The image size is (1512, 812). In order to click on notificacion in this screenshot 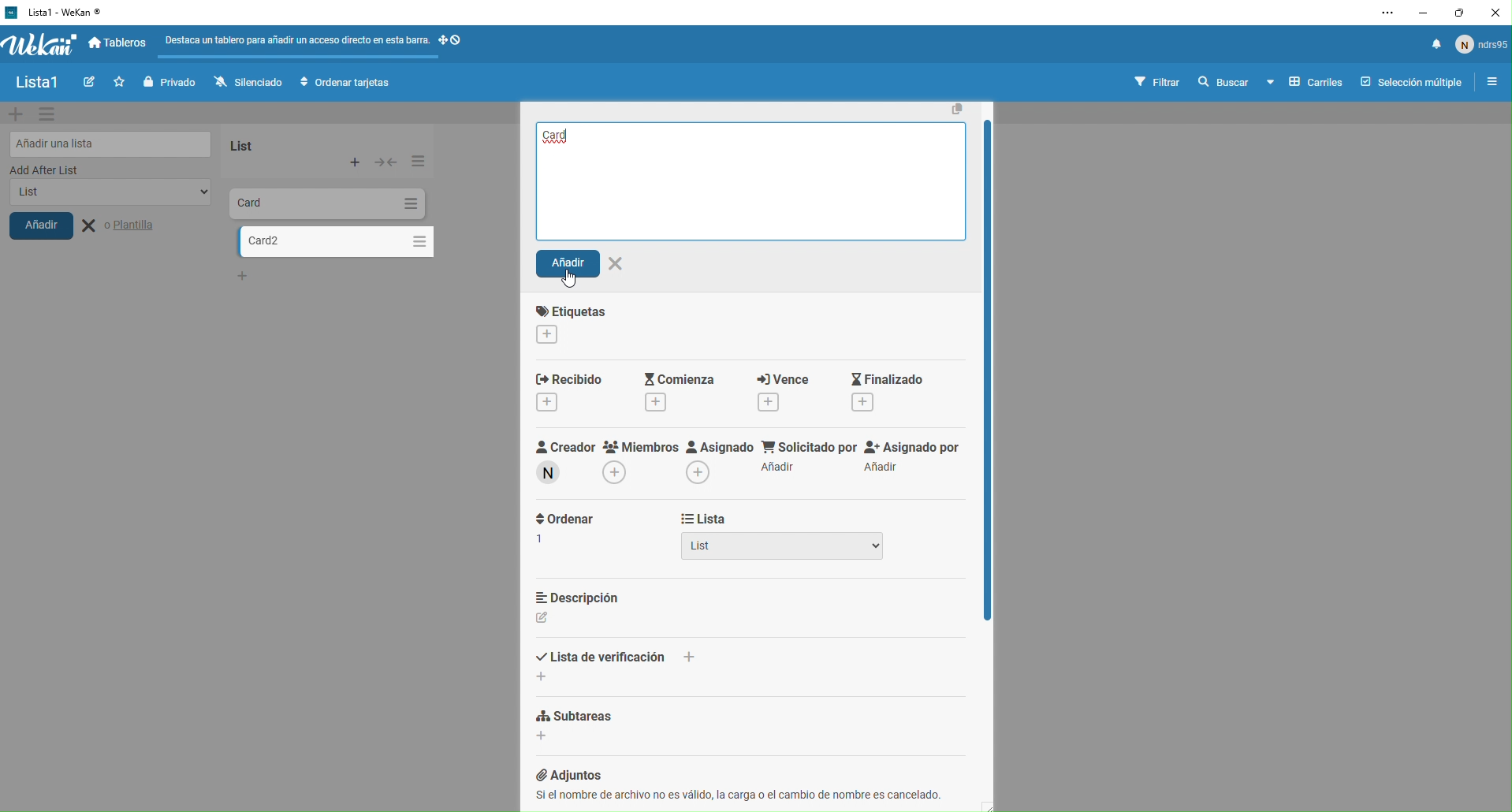, I will do `click(1431, 48)`.